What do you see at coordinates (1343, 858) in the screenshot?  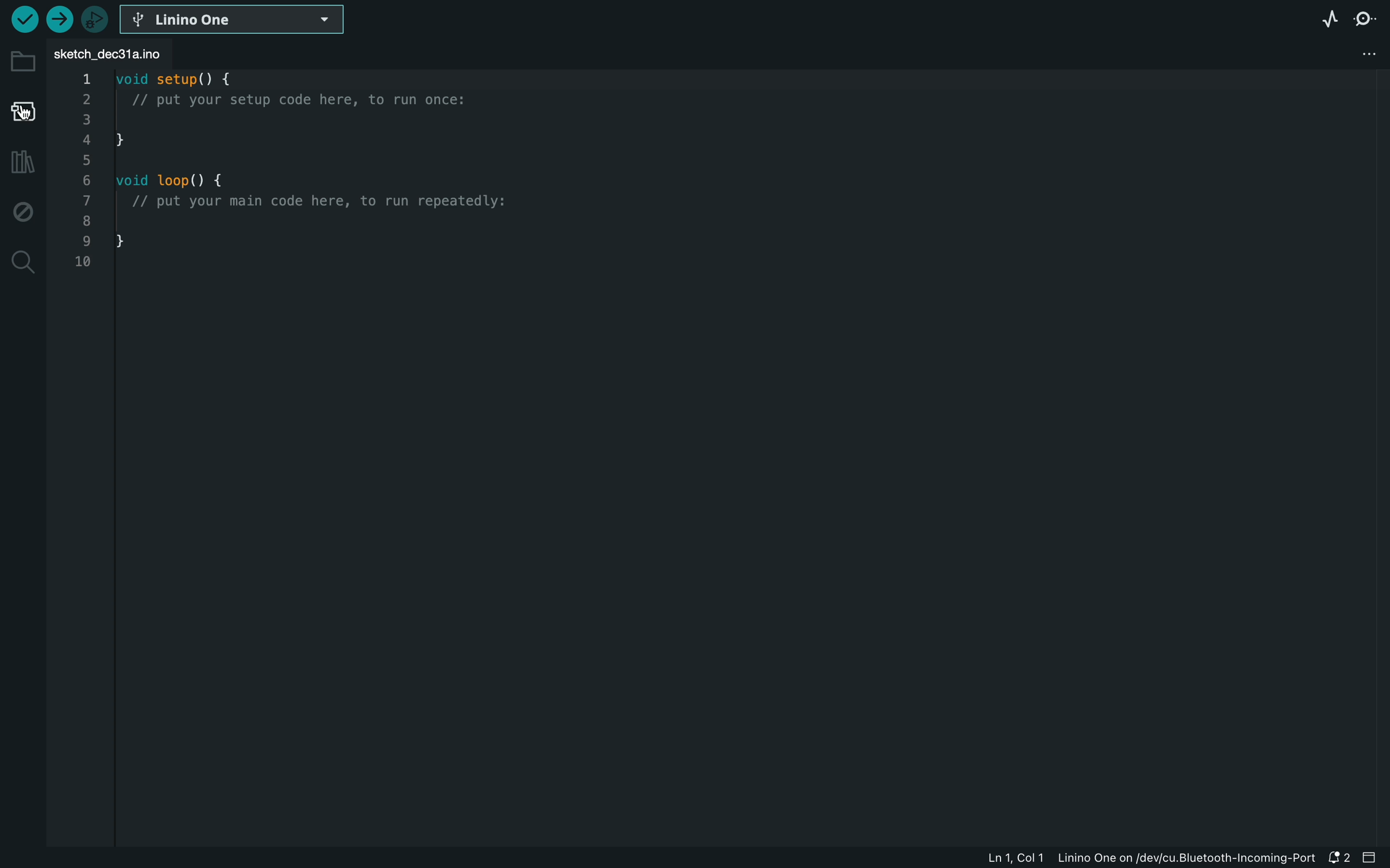 I see `notification` at bounding box center [1343, 858].